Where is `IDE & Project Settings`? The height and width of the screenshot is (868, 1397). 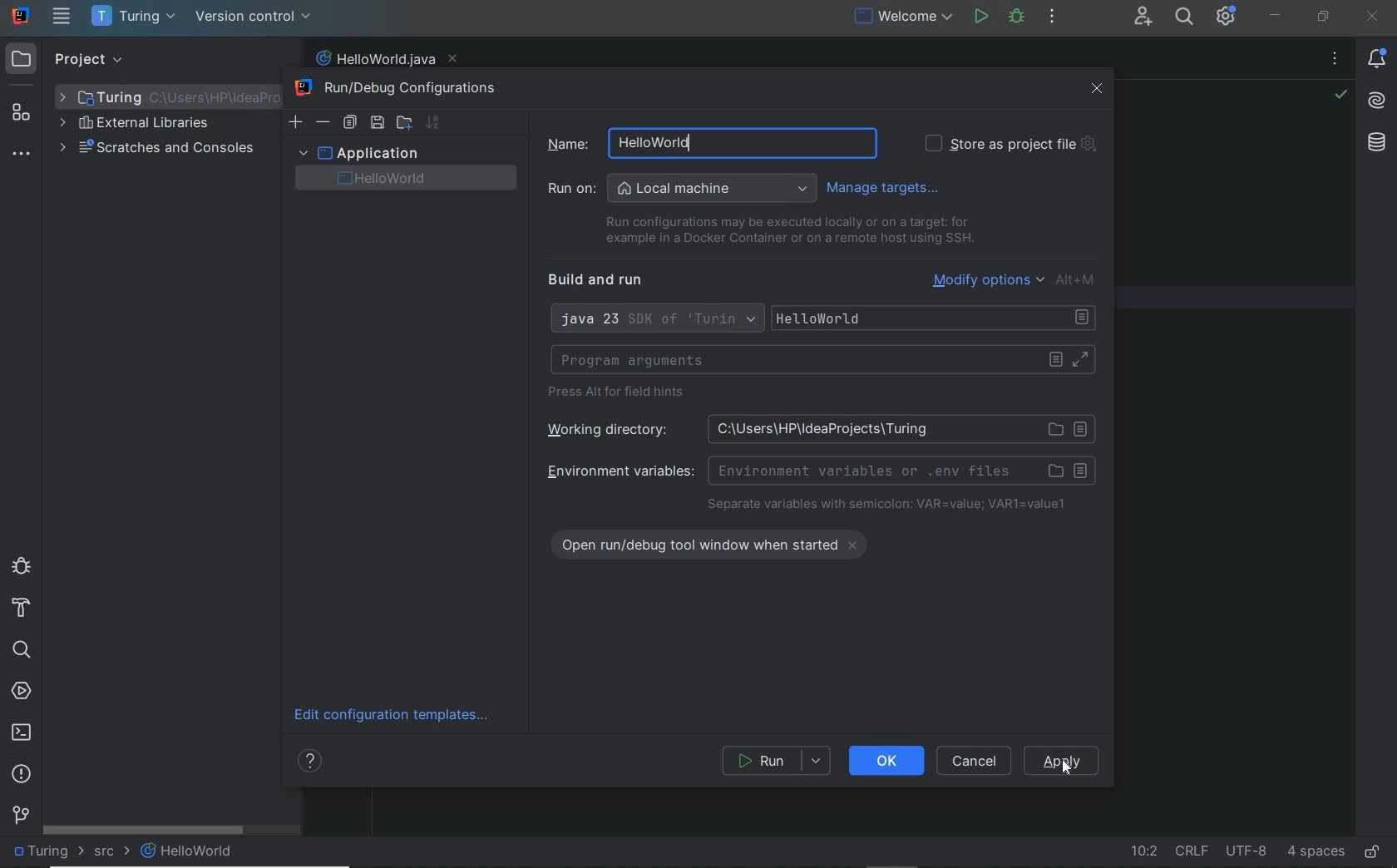
IDE & Project Settings is located at coordinates (1226, 16).